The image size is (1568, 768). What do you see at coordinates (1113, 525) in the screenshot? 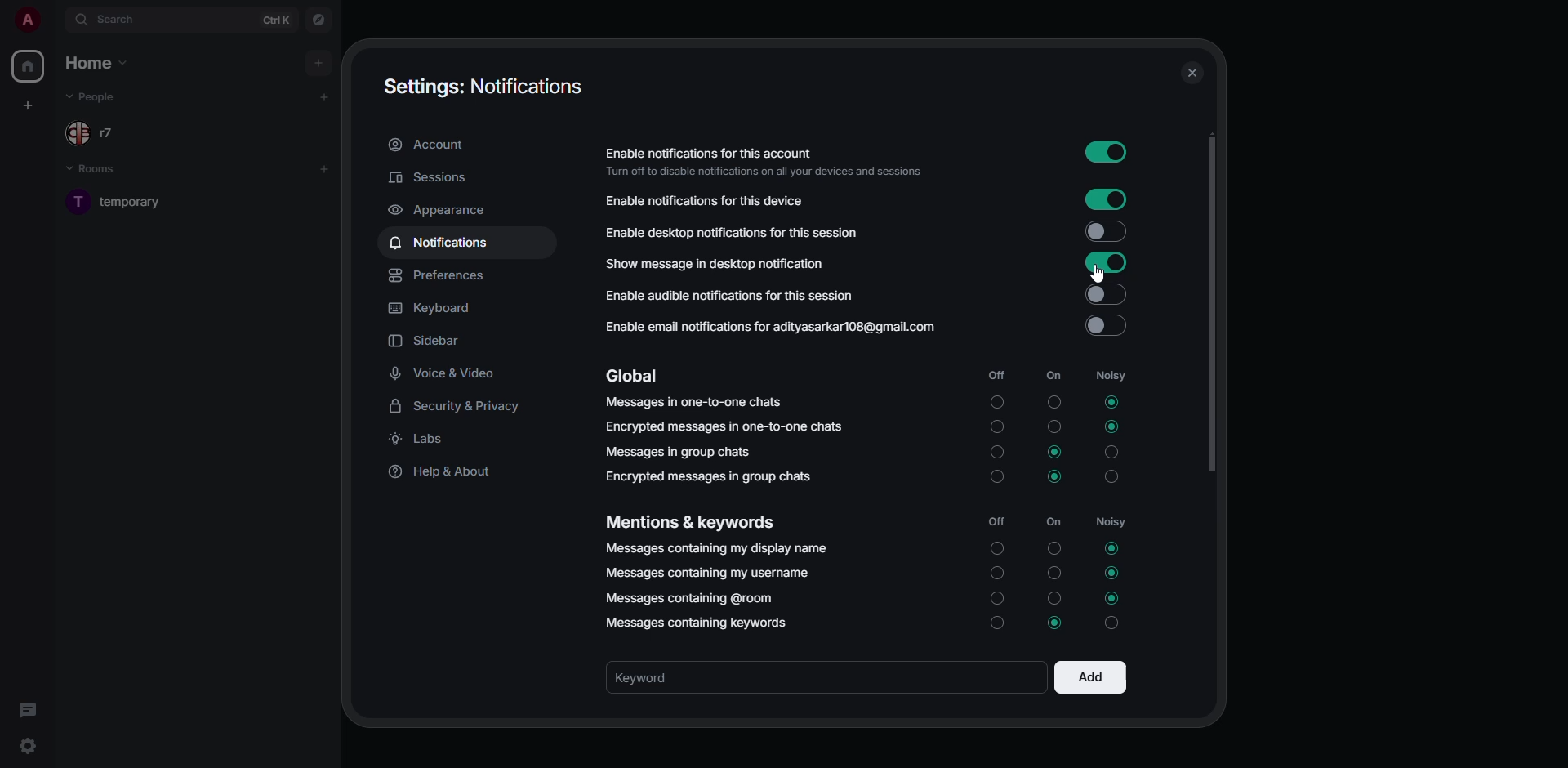
I see `noisy` at bounding box center [1113, 525].